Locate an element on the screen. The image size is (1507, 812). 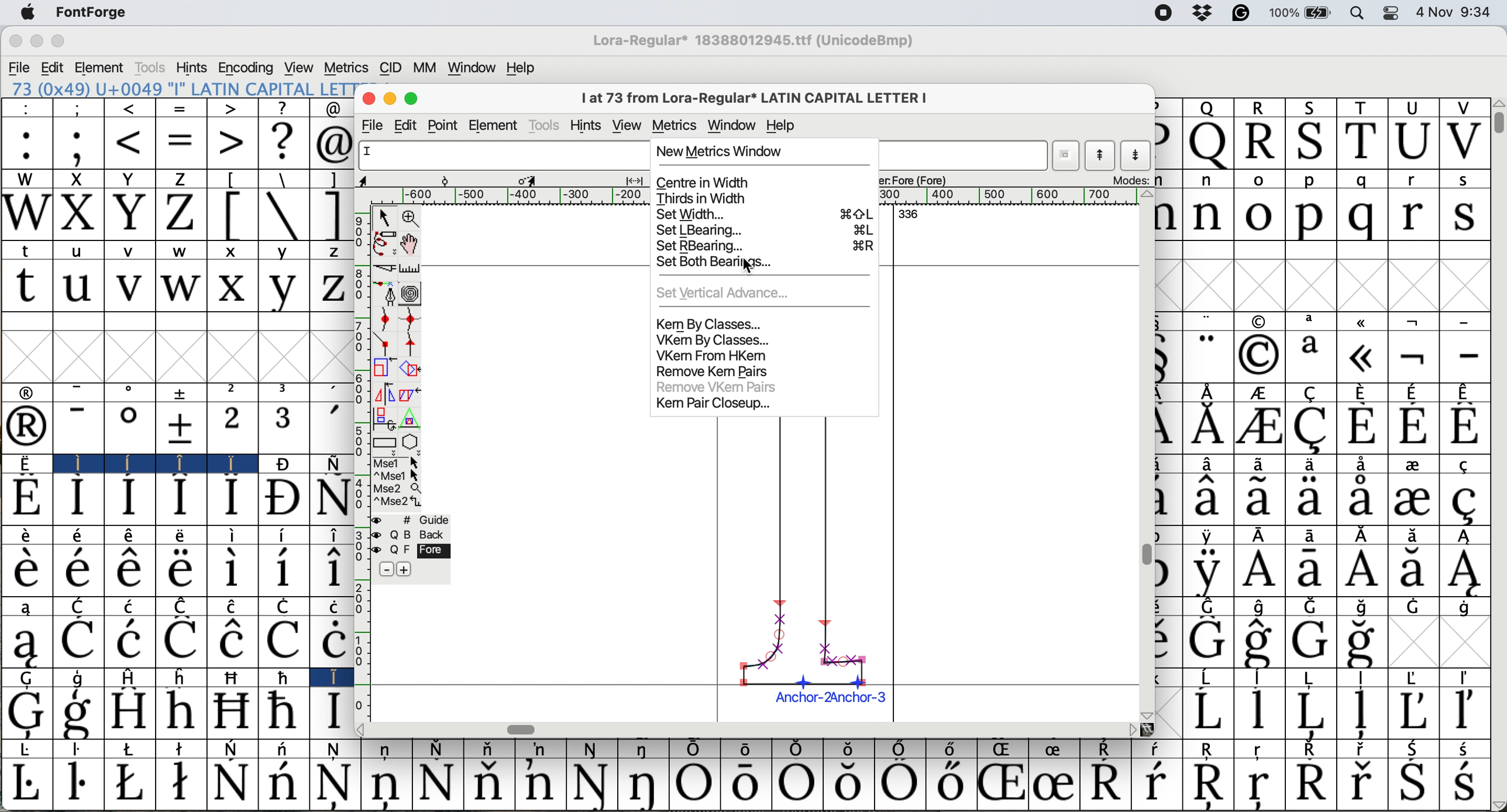
Symbol is located at coordinates (330, 605).